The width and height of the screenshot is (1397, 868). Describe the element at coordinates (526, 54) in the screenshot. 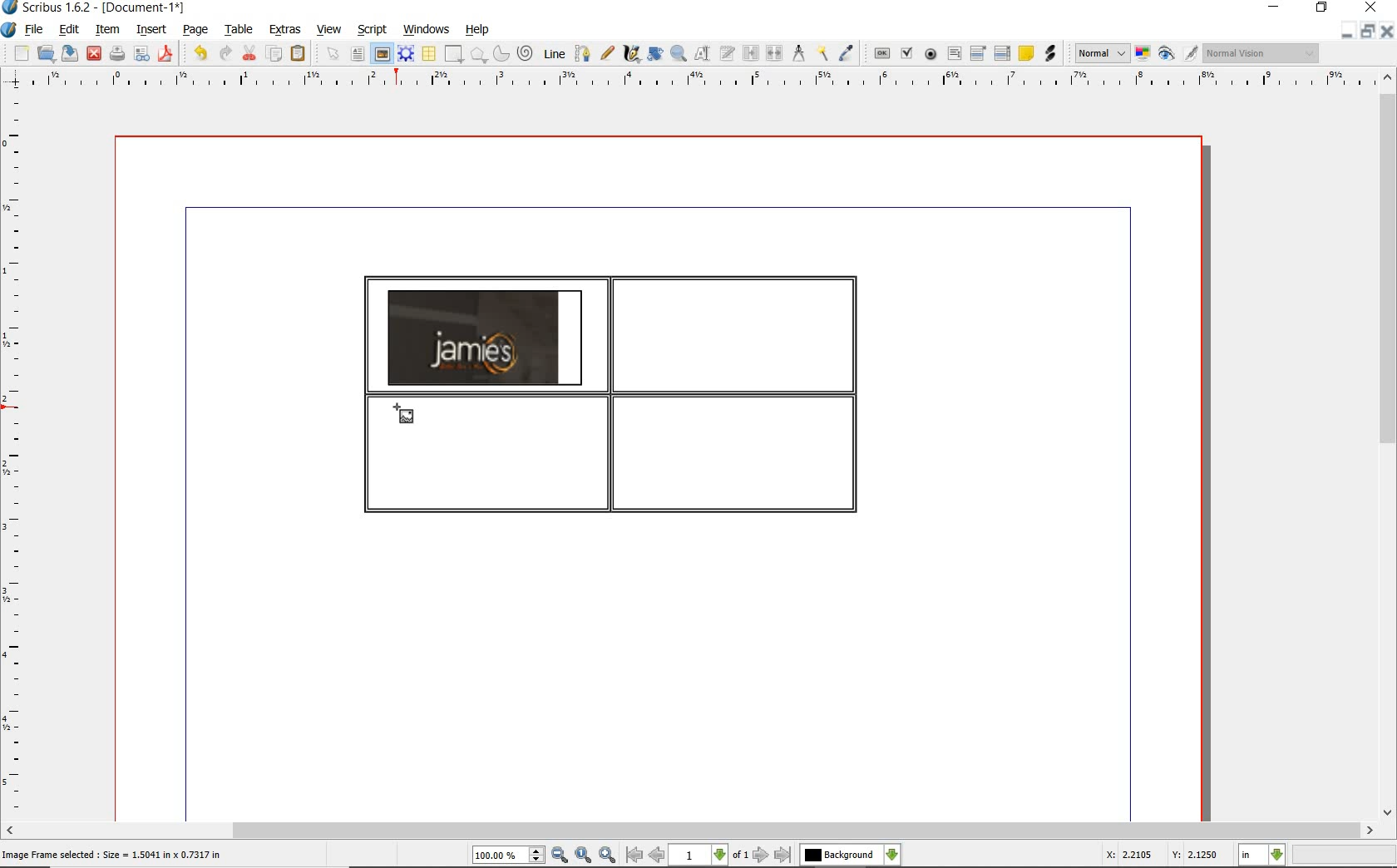

I see `spiral` at that location.